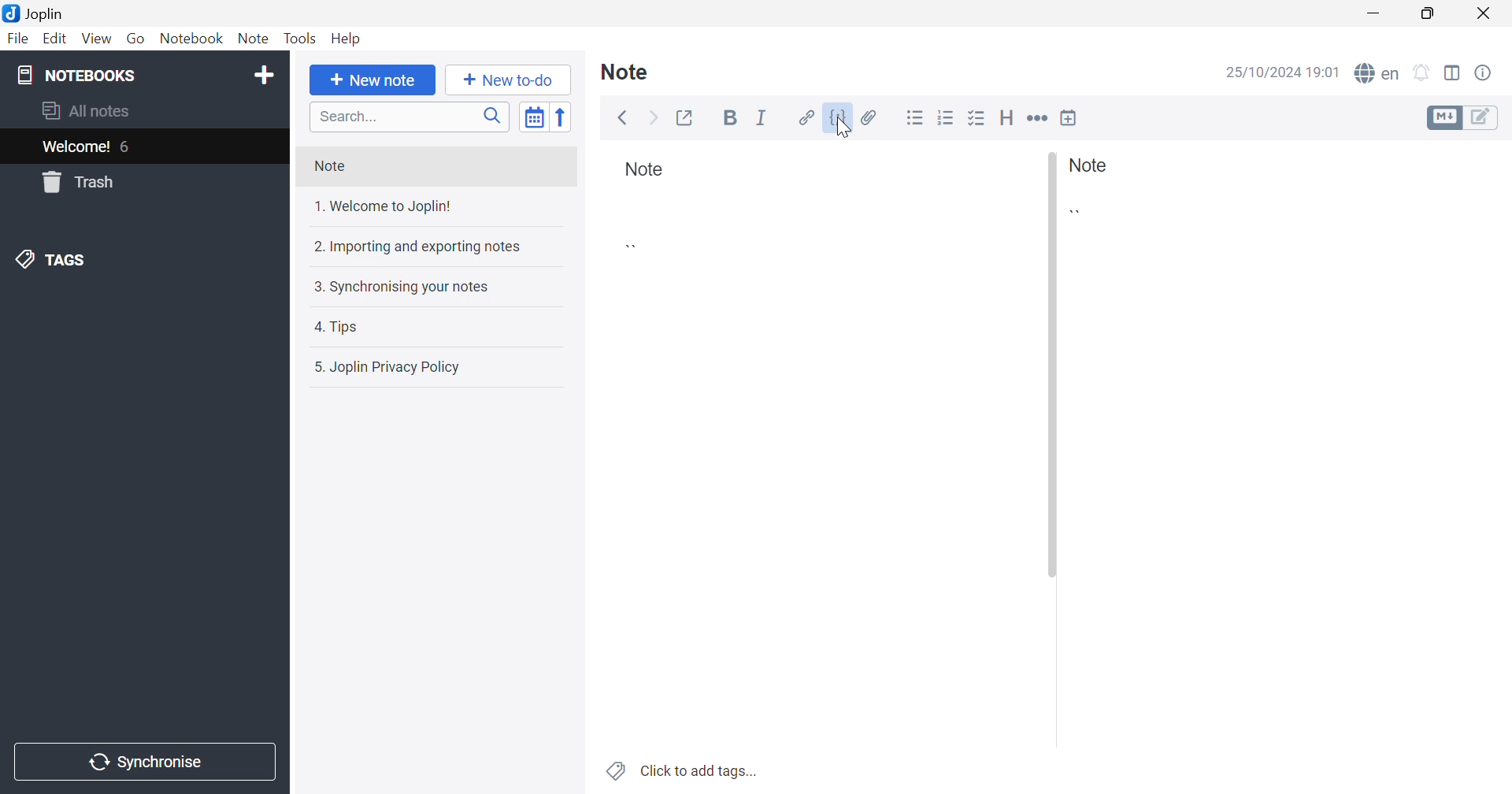 This screenshot has width=1512, height=794. I want to click on Welcome!, so click(77, 147).